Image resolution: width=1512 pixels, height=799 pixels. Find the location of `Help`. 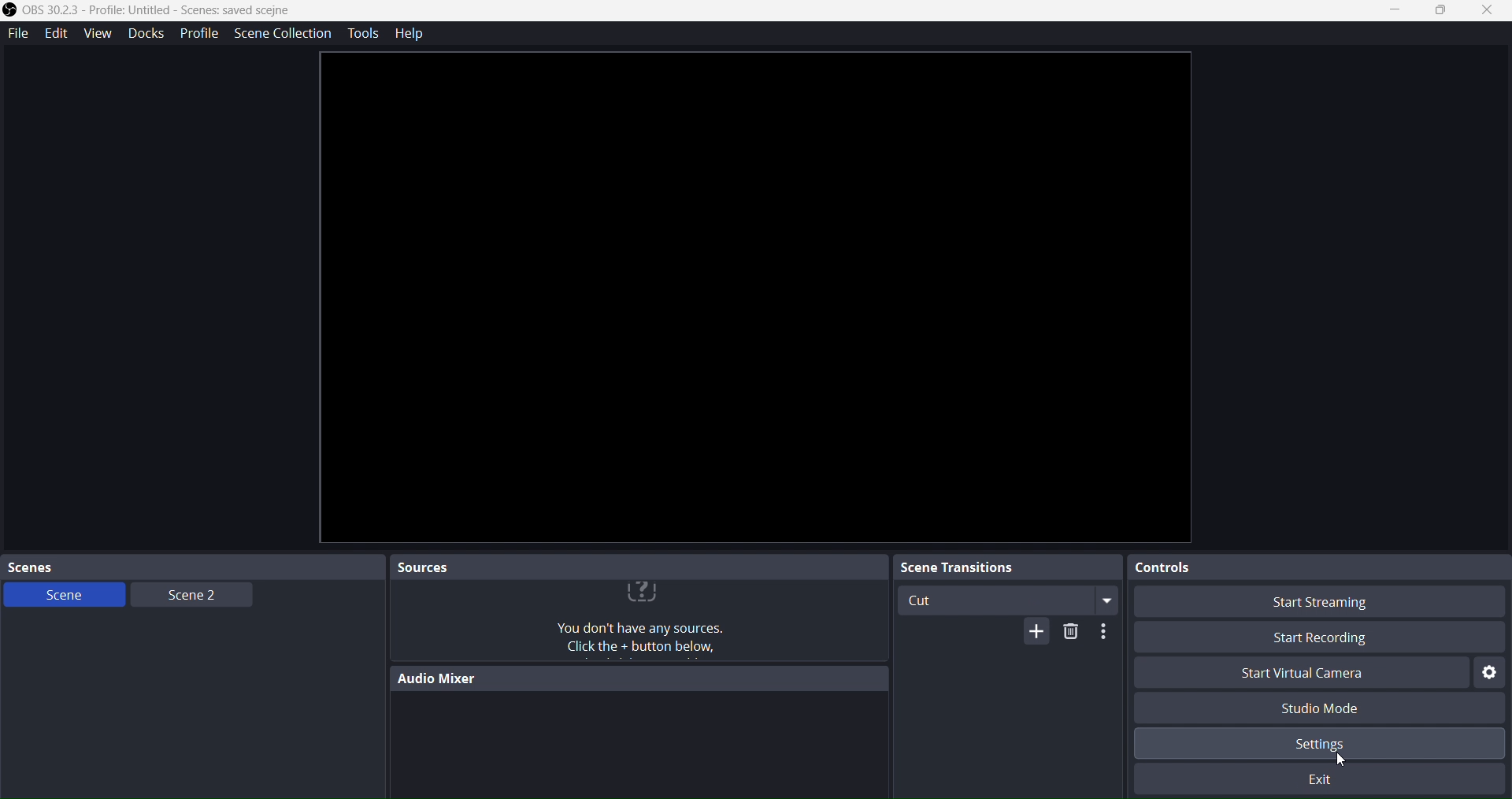

Help is located at coordinates (414, 35).